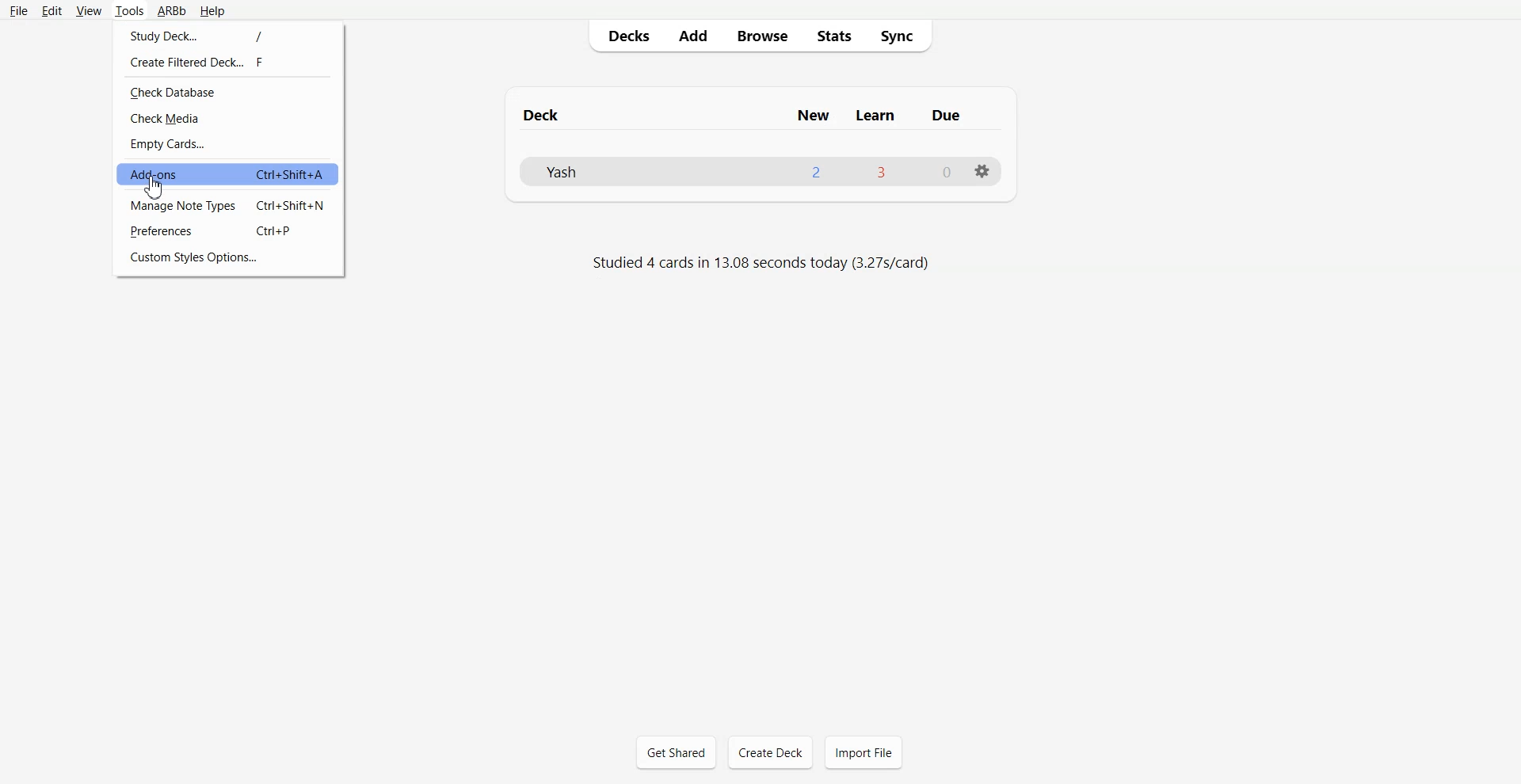  Describe the element at coordinates (130, 10) in the screenshot. I see `tools` at that location.